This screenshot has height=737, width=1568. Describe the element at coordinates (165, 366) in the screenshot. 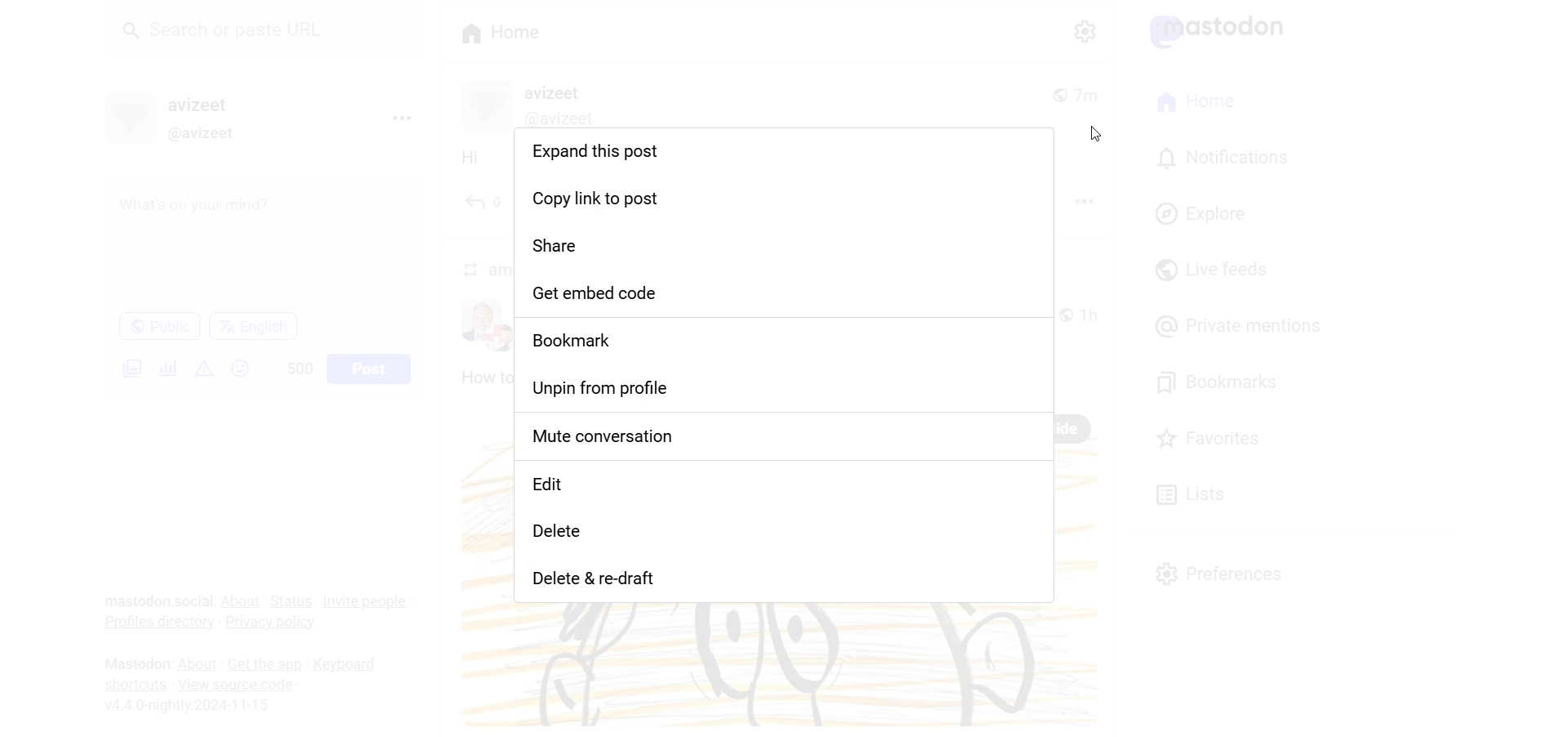

I see `Add Poll` at that location.